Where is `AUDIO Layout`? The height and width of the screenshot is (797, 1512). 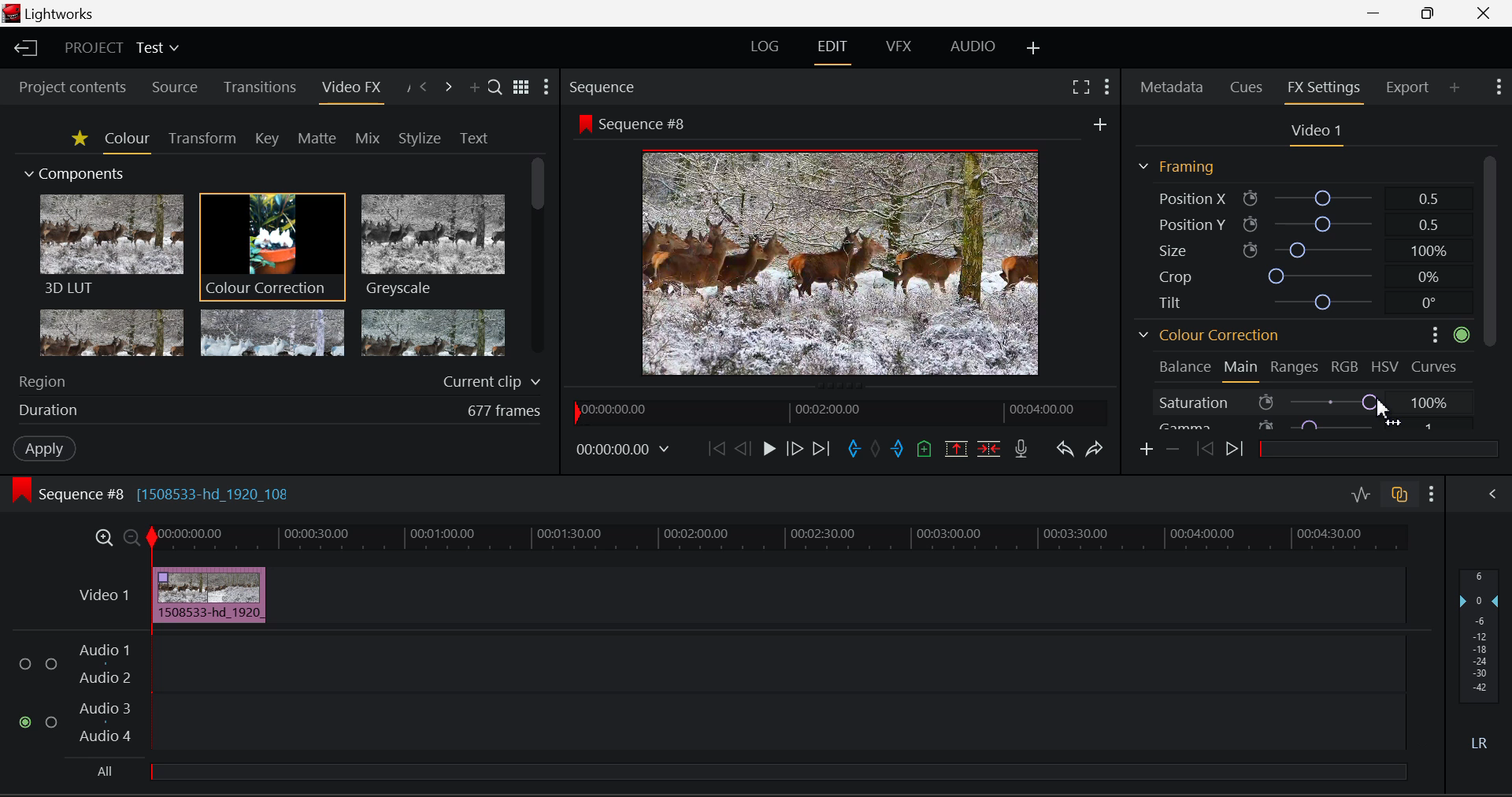 AUDIO Layout is located at coordinates (967, 48).